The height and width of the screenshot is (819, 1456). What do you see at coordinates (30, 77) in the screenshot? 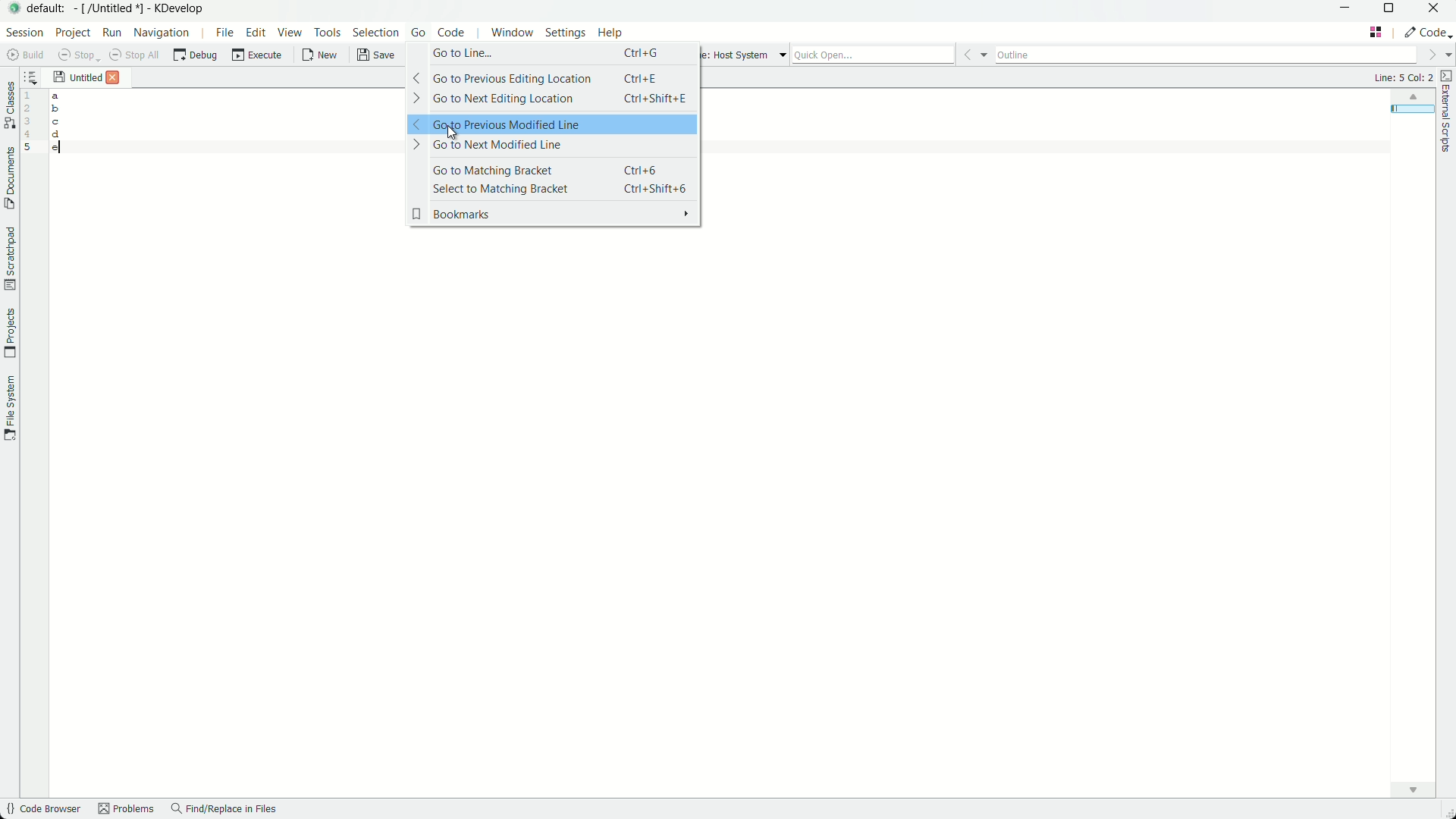
I see `sort the opened documents` at bounding box center [30, 77].